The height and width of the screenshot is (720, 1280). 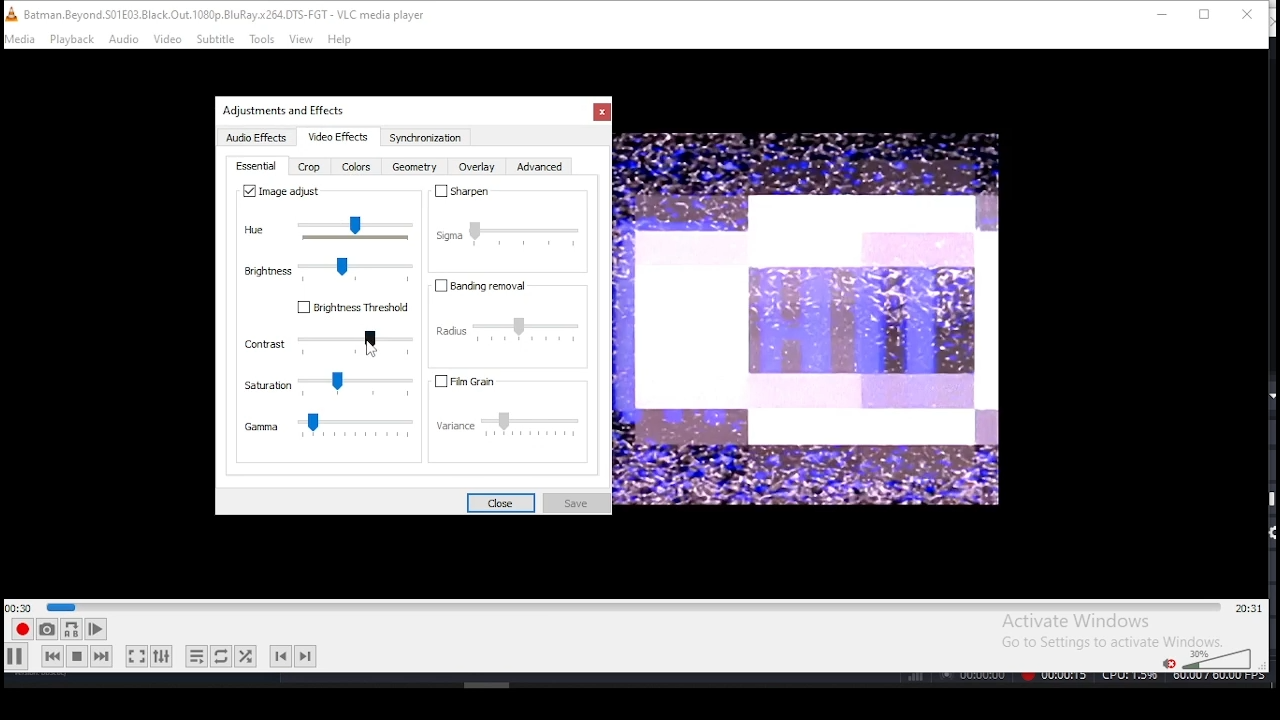 I want to click on elapsed time, so click(x=20, y=607).